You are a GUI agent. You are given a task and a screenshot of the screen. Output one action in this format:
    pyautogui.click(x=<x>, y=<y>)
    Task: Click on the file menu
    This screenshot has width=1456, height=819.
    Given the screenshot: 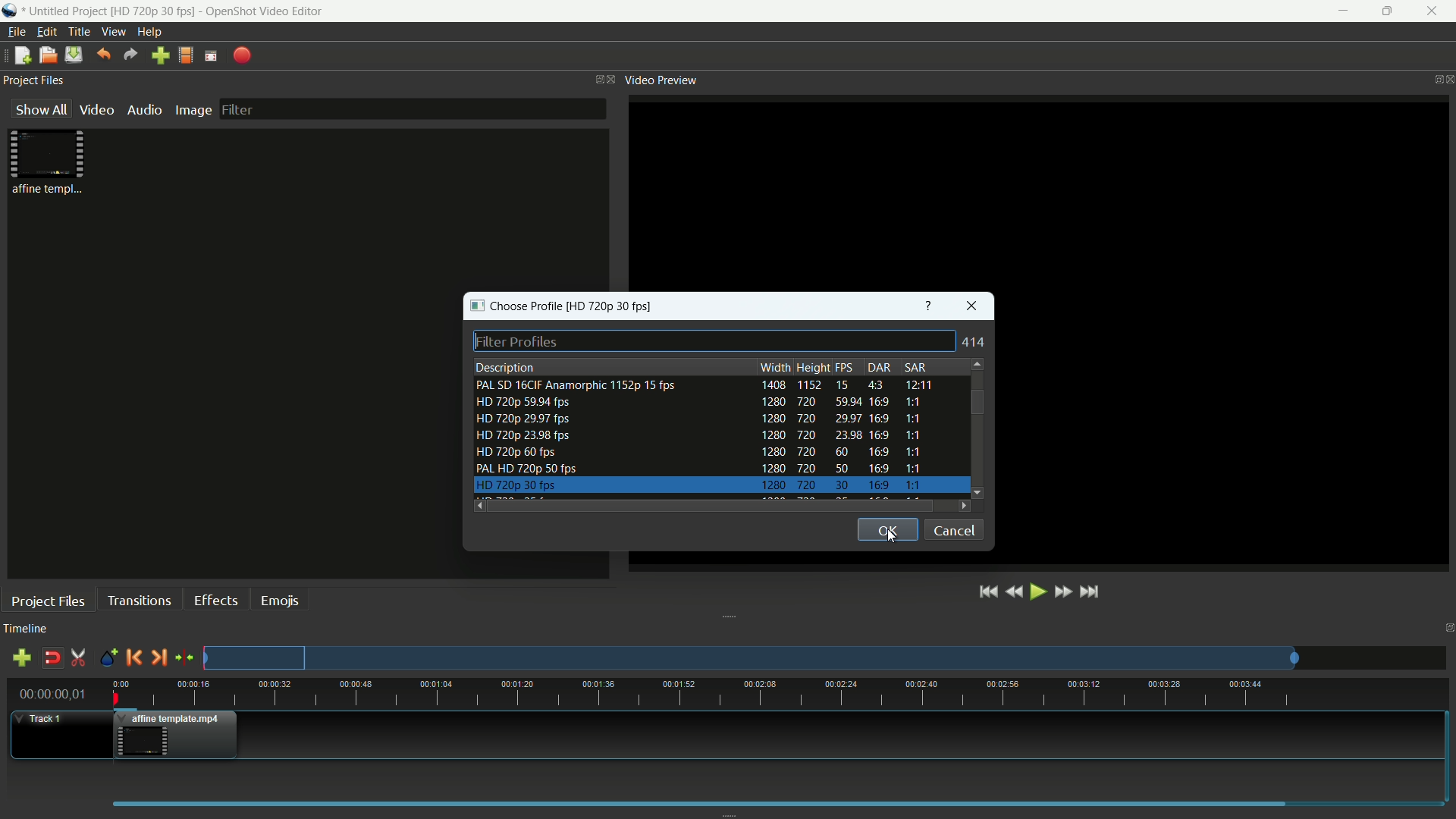 What is the action you would take?
    pyautogui.click(x=16, y=32)
    